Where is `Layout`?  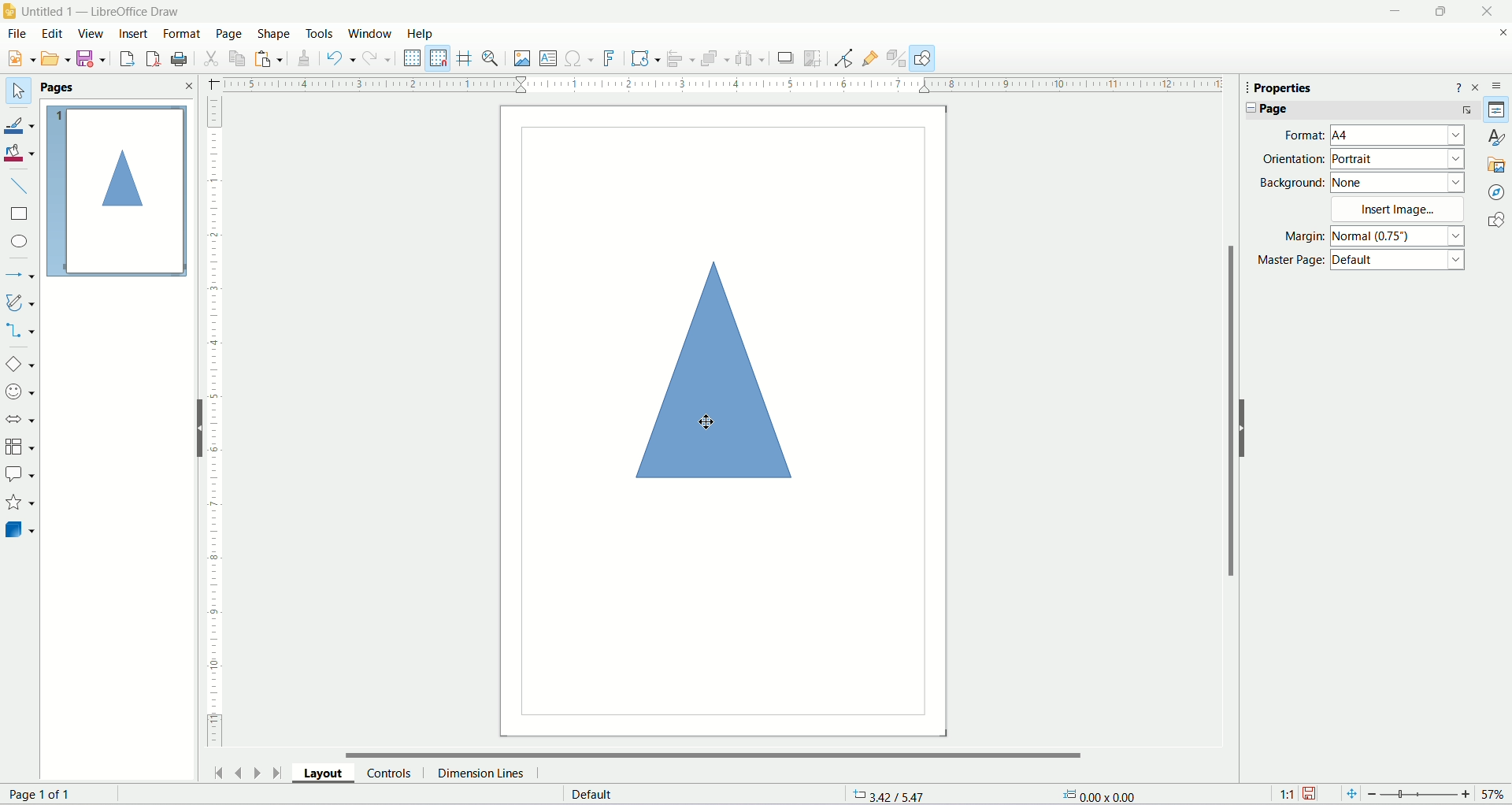
Layout is located at coordinates (322, 775).